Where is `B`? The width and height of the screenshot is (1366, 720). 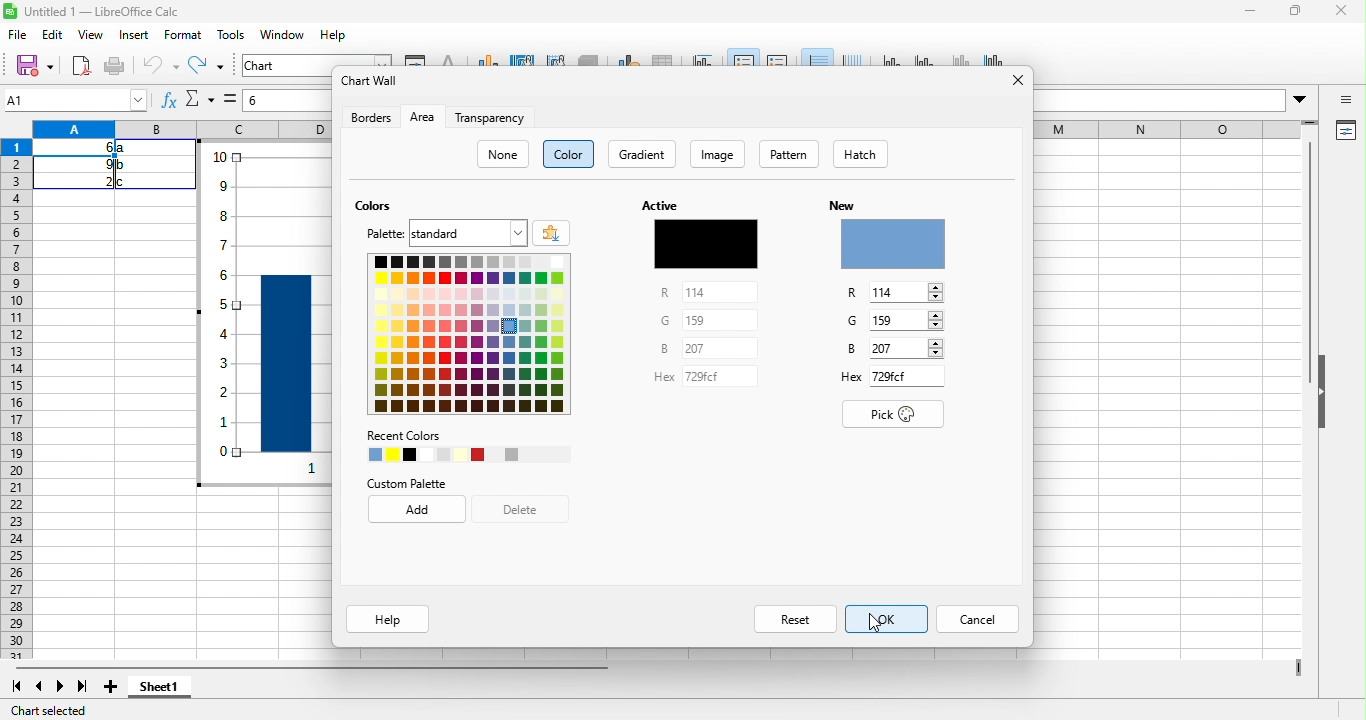
B is located at coordinates (665, 351).